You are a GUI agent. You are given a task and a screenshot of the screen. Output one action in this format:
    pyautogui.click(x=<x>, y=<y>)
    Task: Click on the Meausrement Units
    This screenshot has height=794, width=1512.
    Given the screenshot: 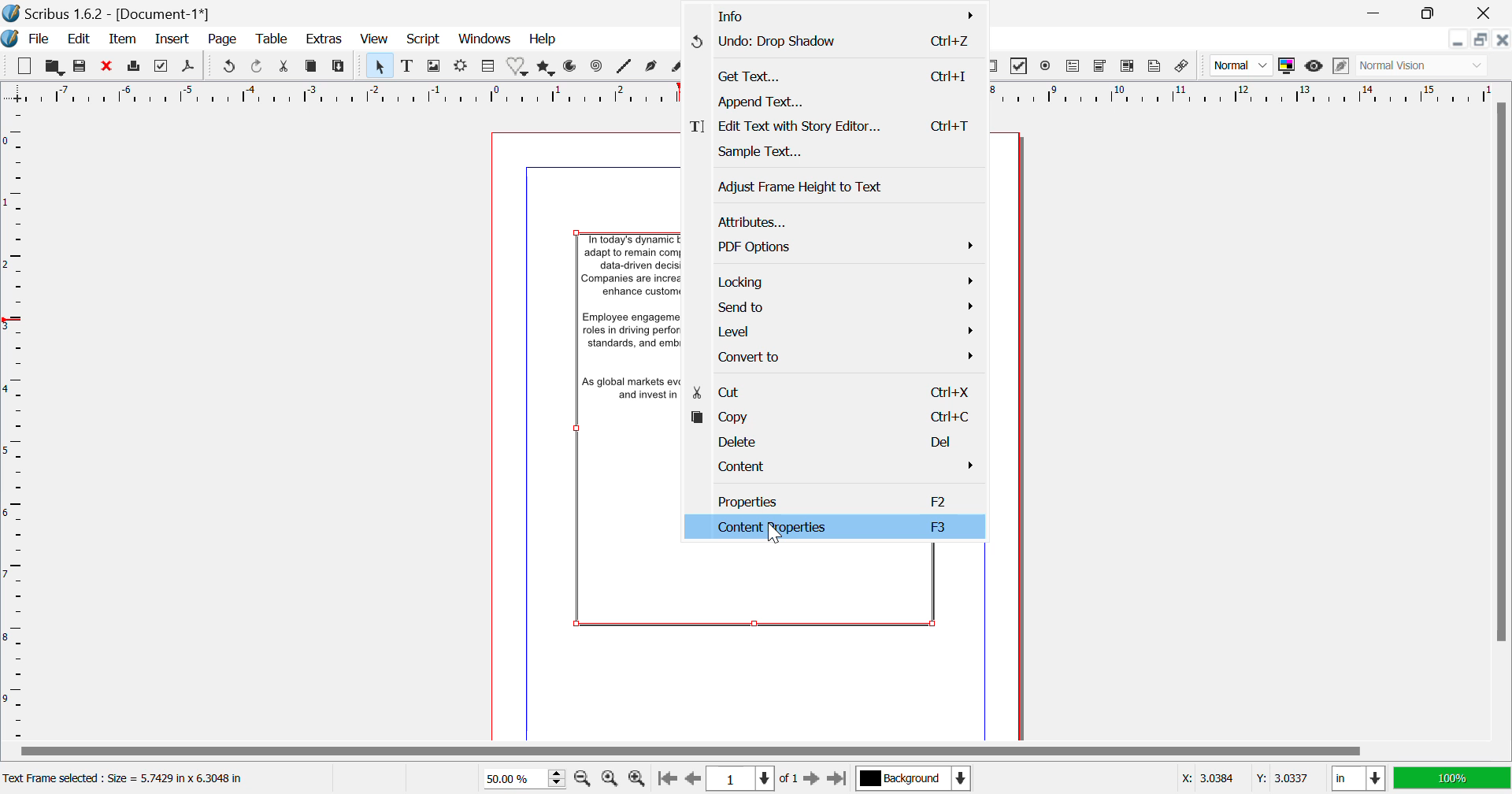 What is the action you would take?
    pyautogui.click(x=1359, y=779)
    